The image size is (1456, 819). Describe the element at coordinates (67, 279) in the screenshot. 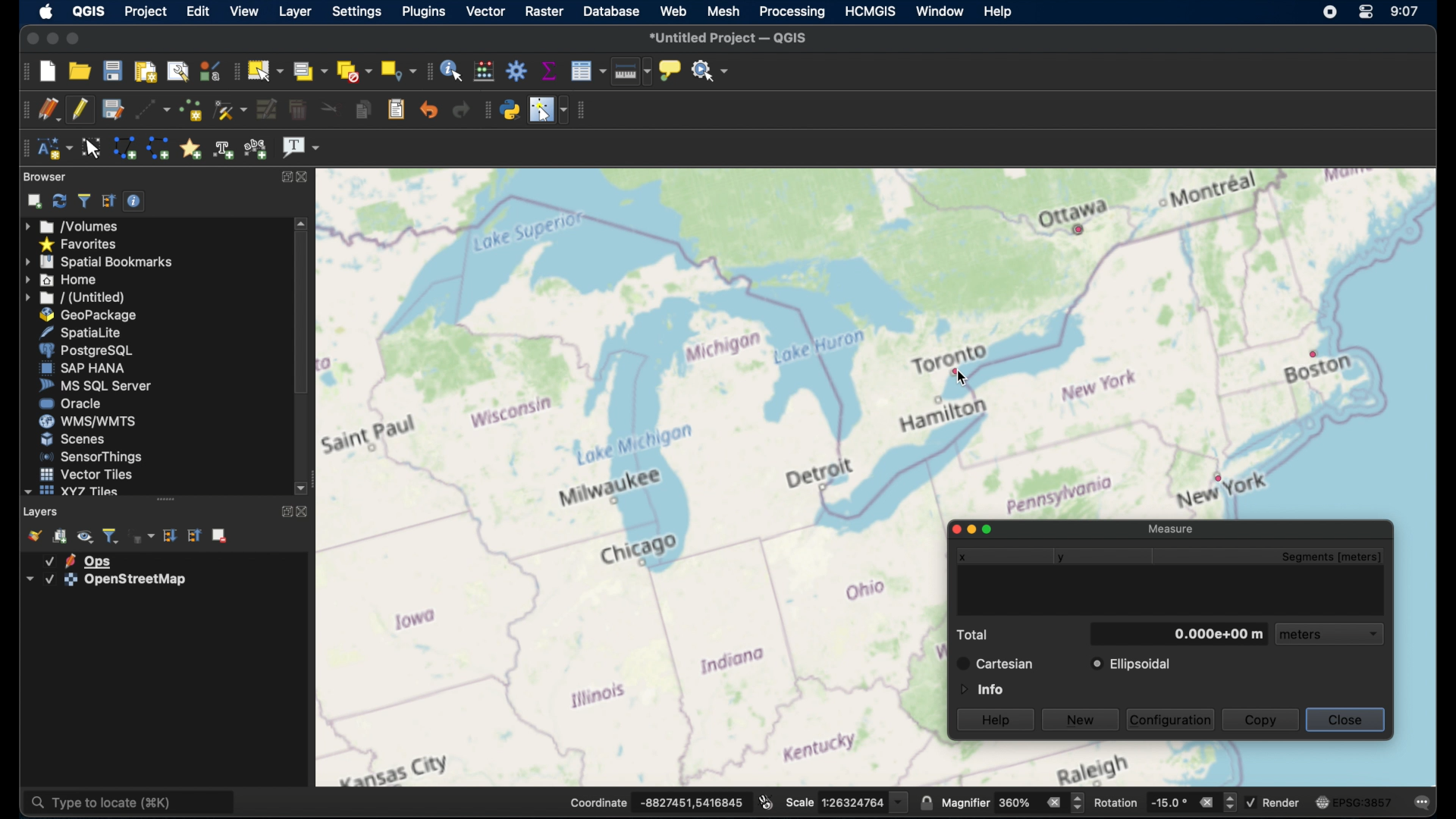

I see `home menu` at that location.